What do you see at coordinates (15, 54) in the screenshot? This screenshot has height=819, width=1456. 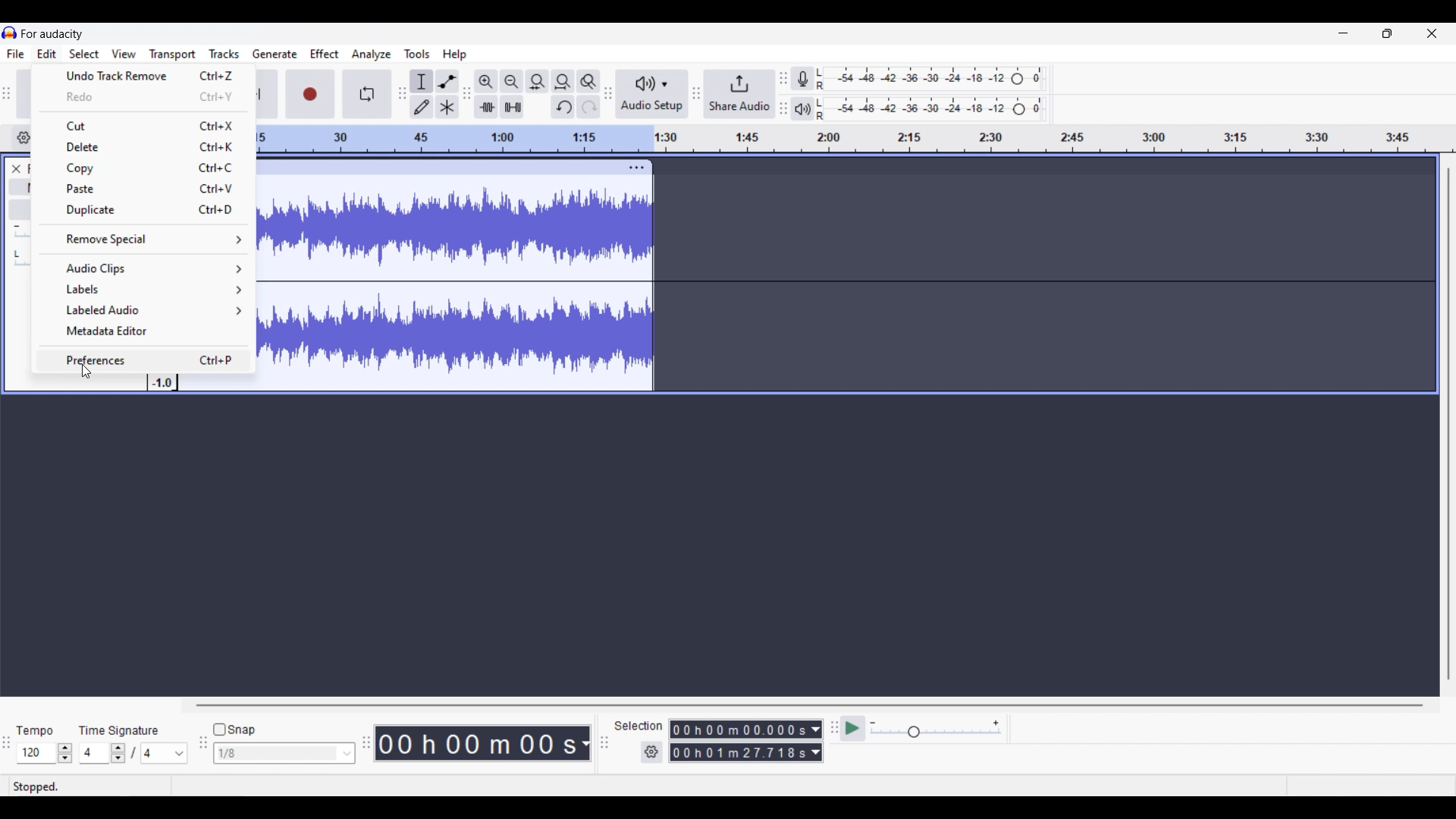 I see `File menu` at bounding box center [15, 54].